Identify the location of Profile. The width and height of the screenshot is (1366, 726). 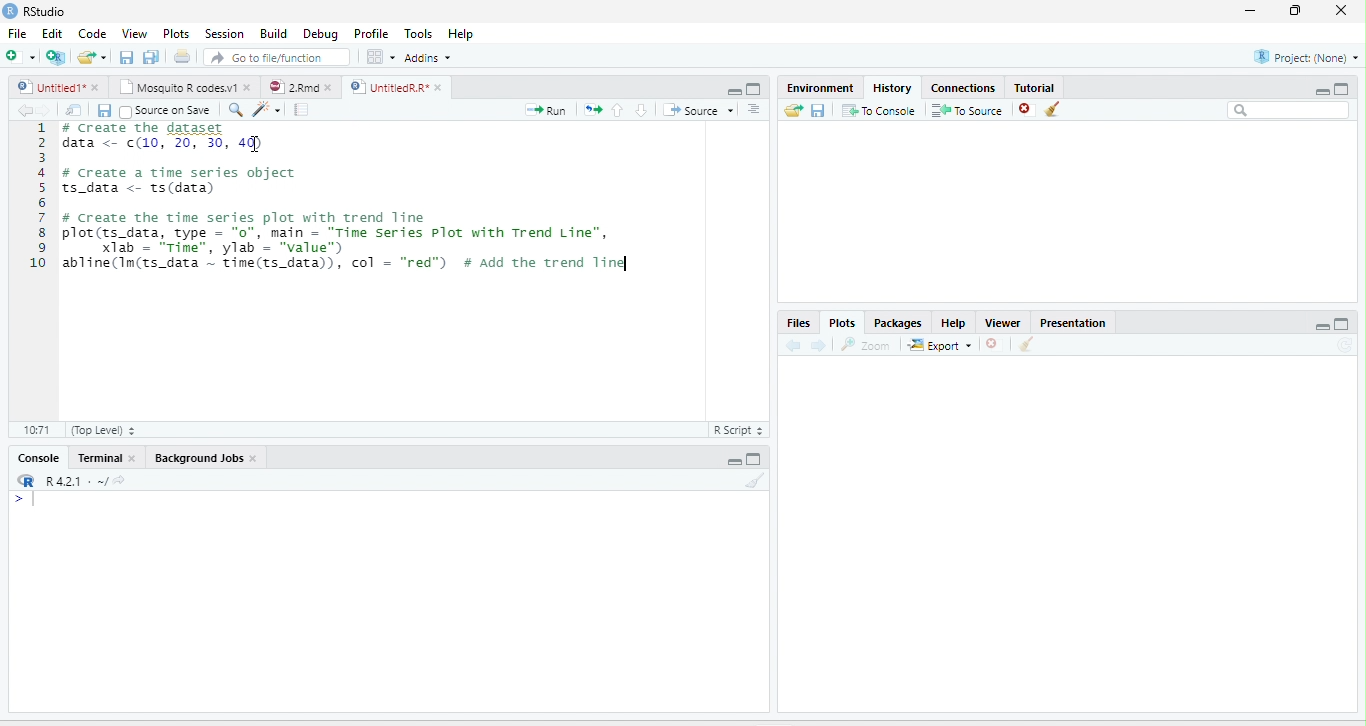
(369, 34).